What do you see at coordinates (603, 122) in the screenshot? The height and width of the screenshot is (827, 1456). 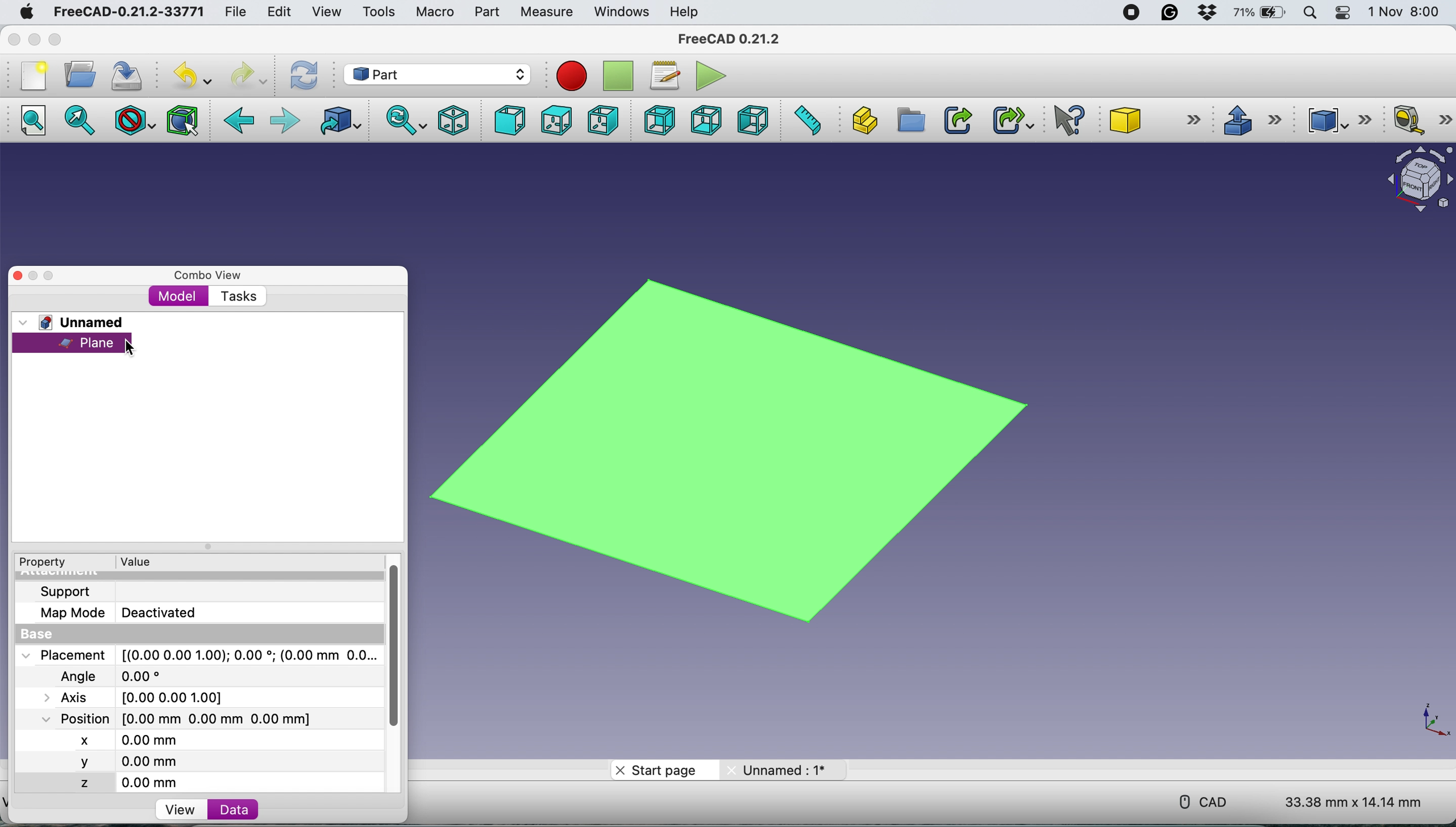 I see `right` at bounding box center [603, 122].